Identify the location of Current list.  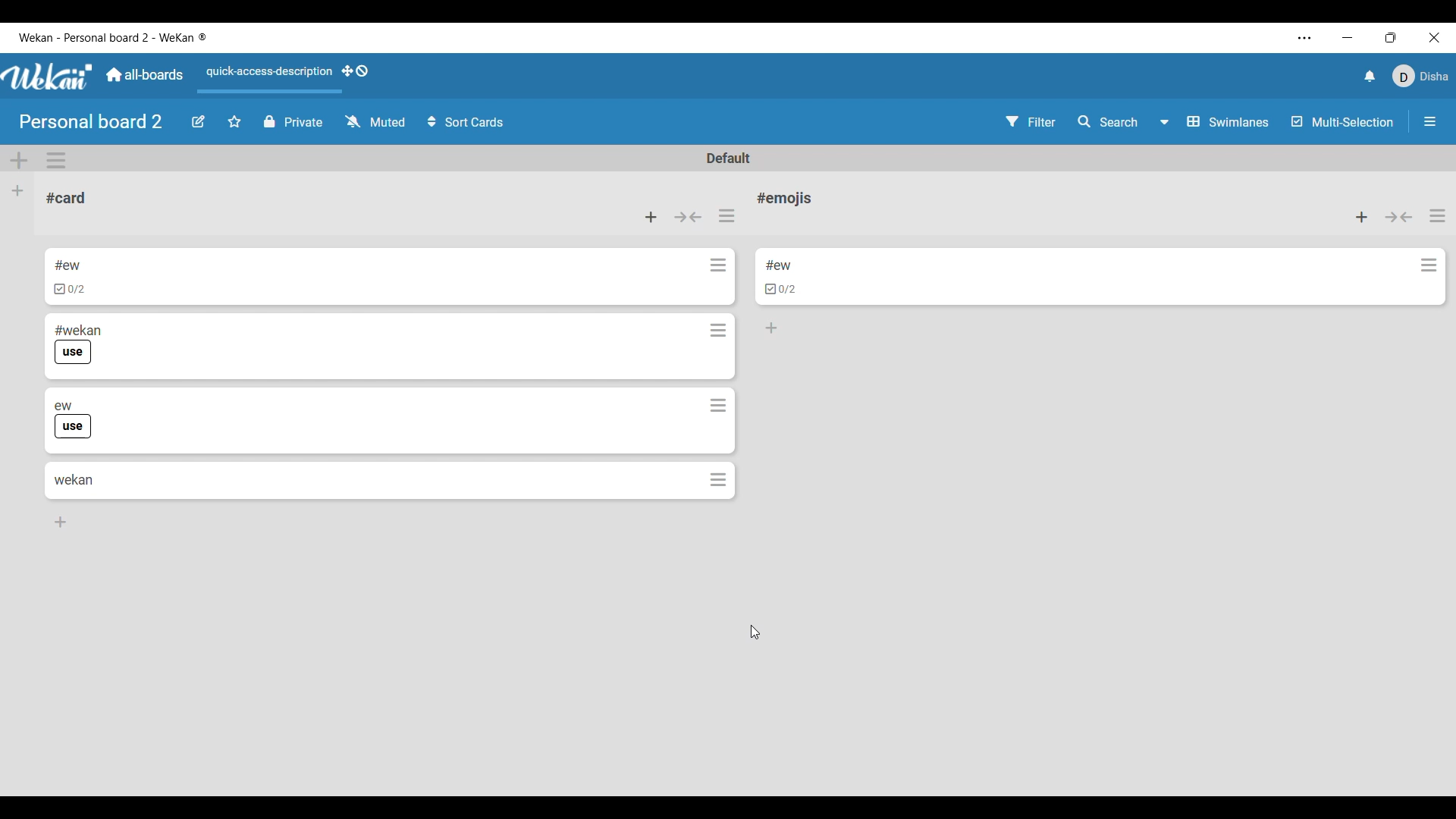
(162, 199).